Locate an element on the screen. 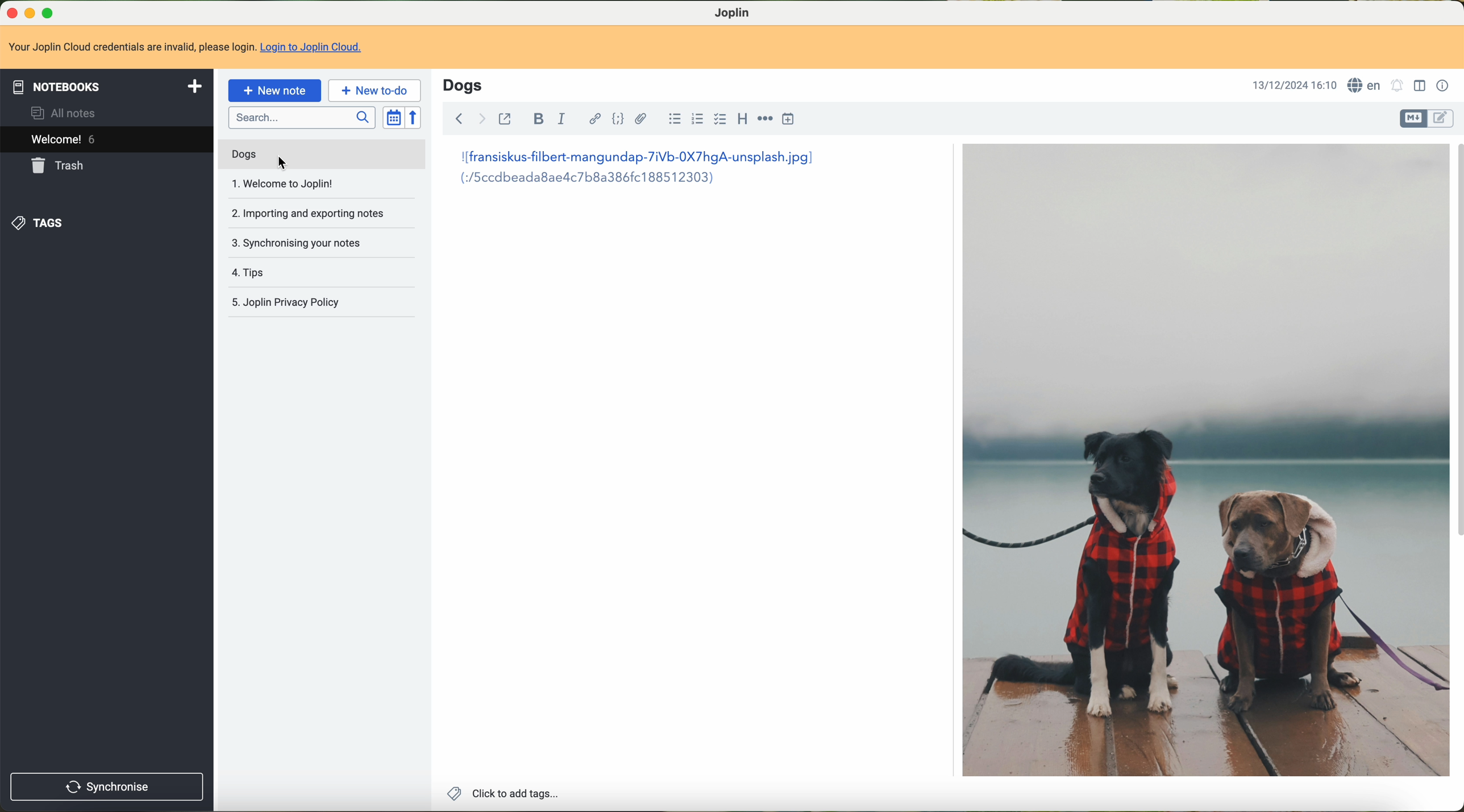 This screenshot has height=812, width=1464. new to-do is located at coordinates (375, 91).